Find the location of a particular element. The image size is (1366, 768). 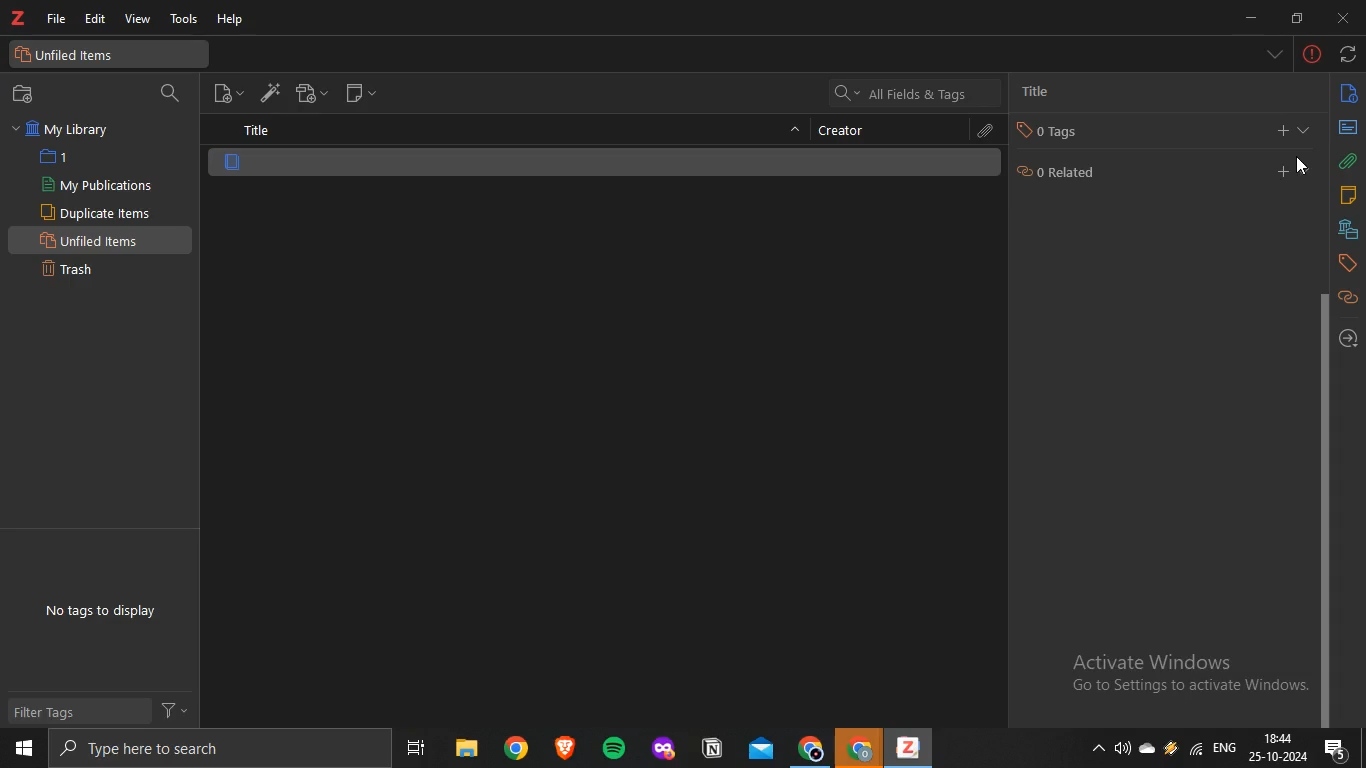

new note is located at coordinates (365, 93).